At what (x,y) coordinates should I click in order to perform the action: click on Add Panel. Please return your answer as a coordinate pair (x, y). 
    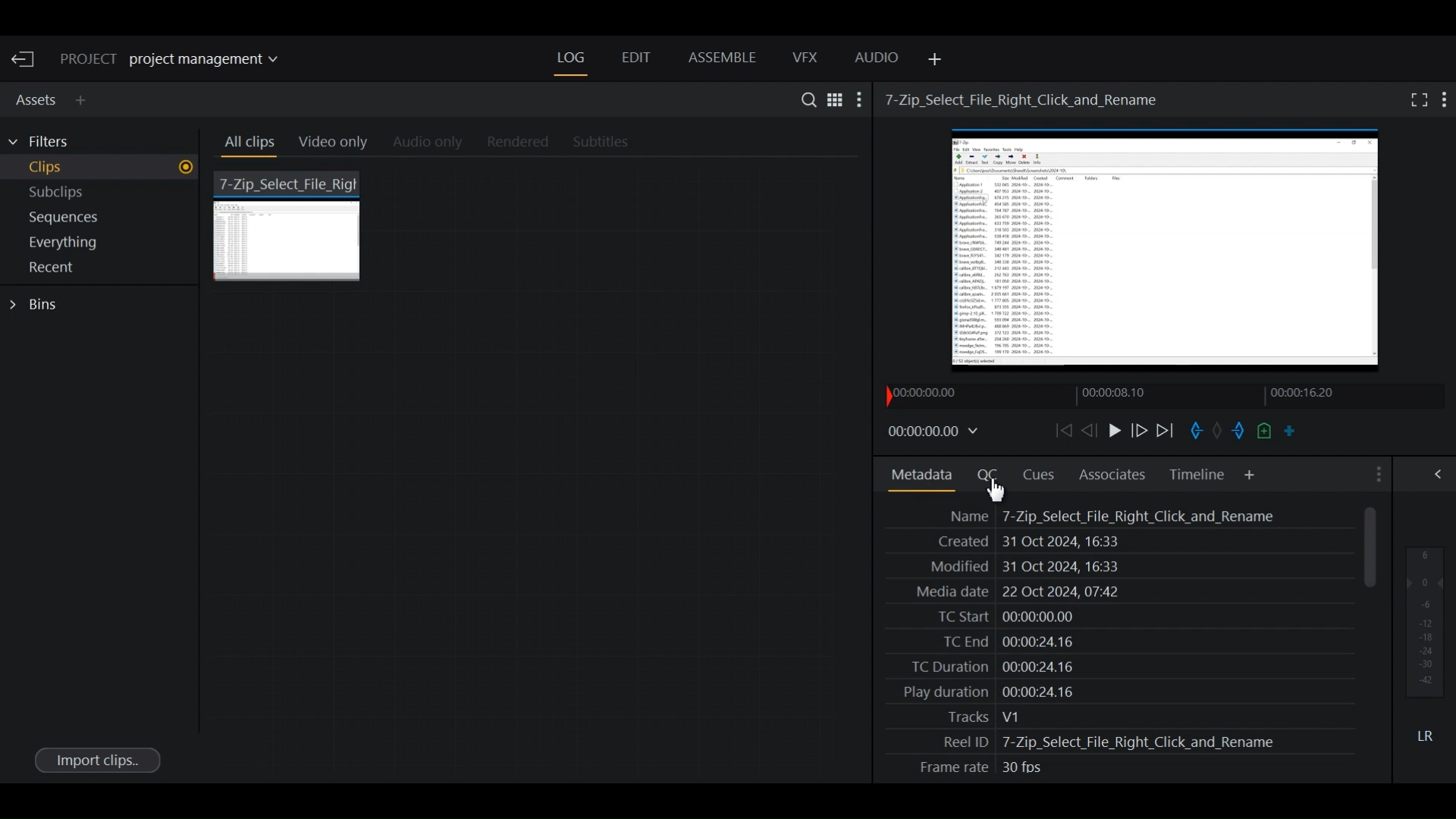
    Looking at the image, I should click on (84, 100).